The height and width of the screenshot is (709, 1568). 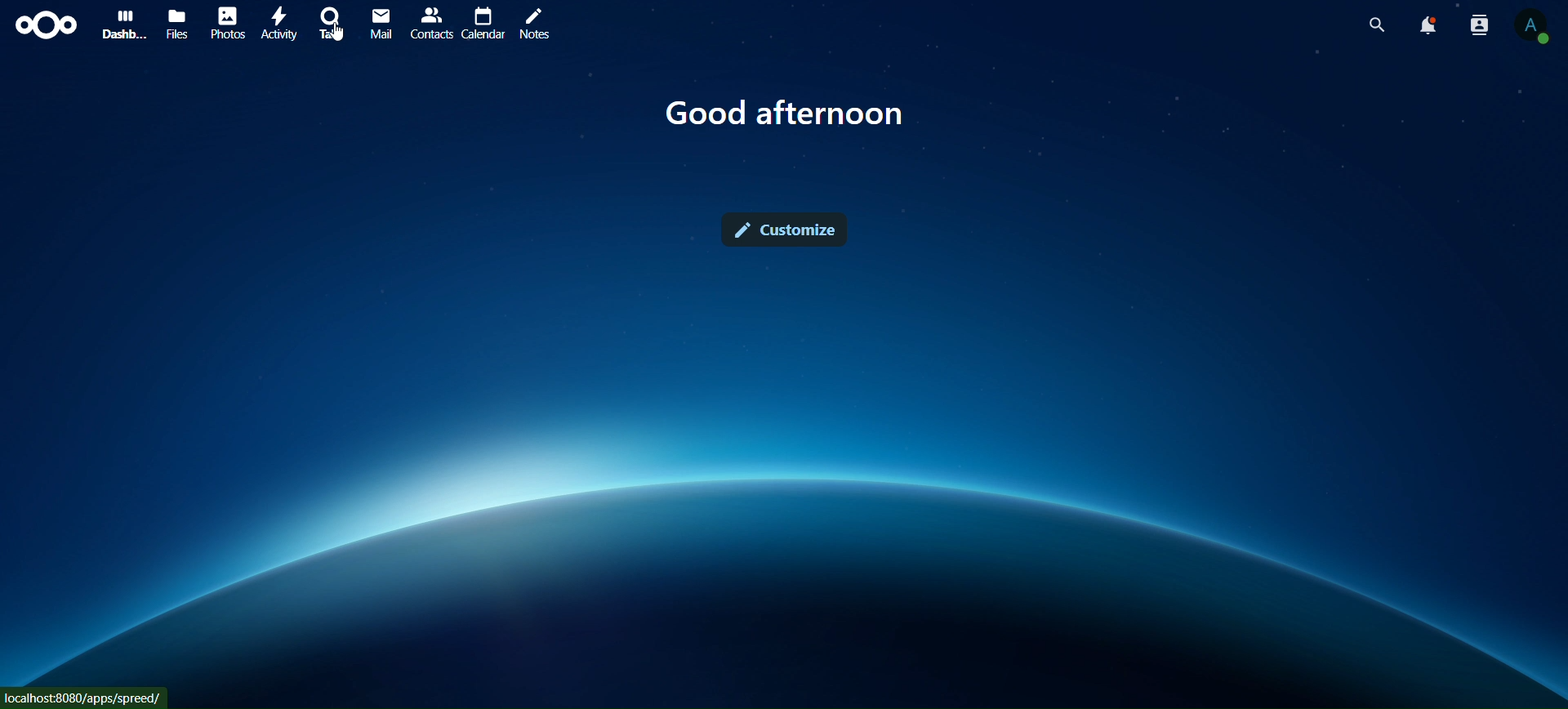 I want to click on customize, so click(x=789, y=230).